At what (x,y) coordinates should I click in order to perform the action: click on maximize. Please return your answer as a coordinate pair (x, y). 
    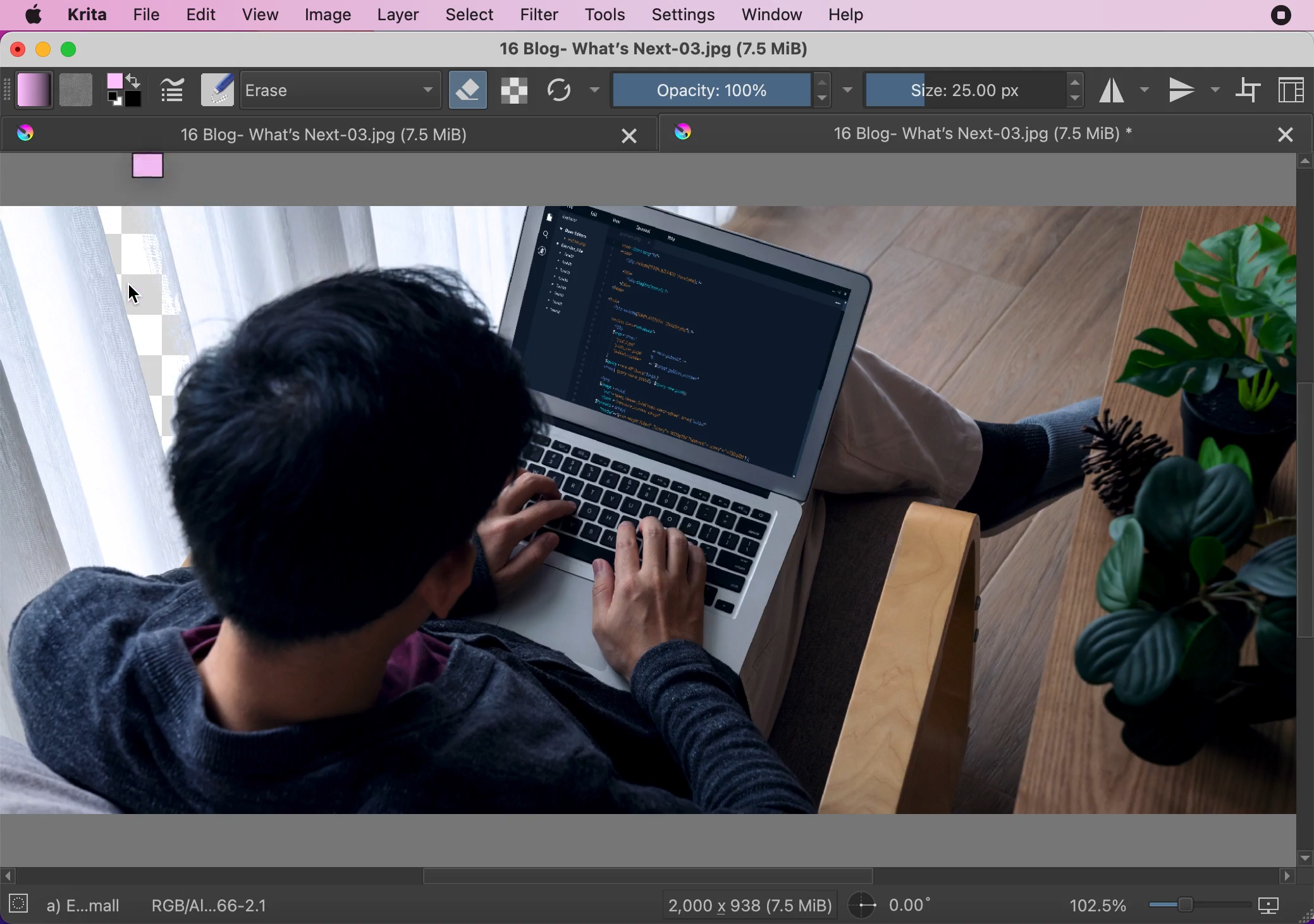
    Looking at the image, I should click on (75, 50).